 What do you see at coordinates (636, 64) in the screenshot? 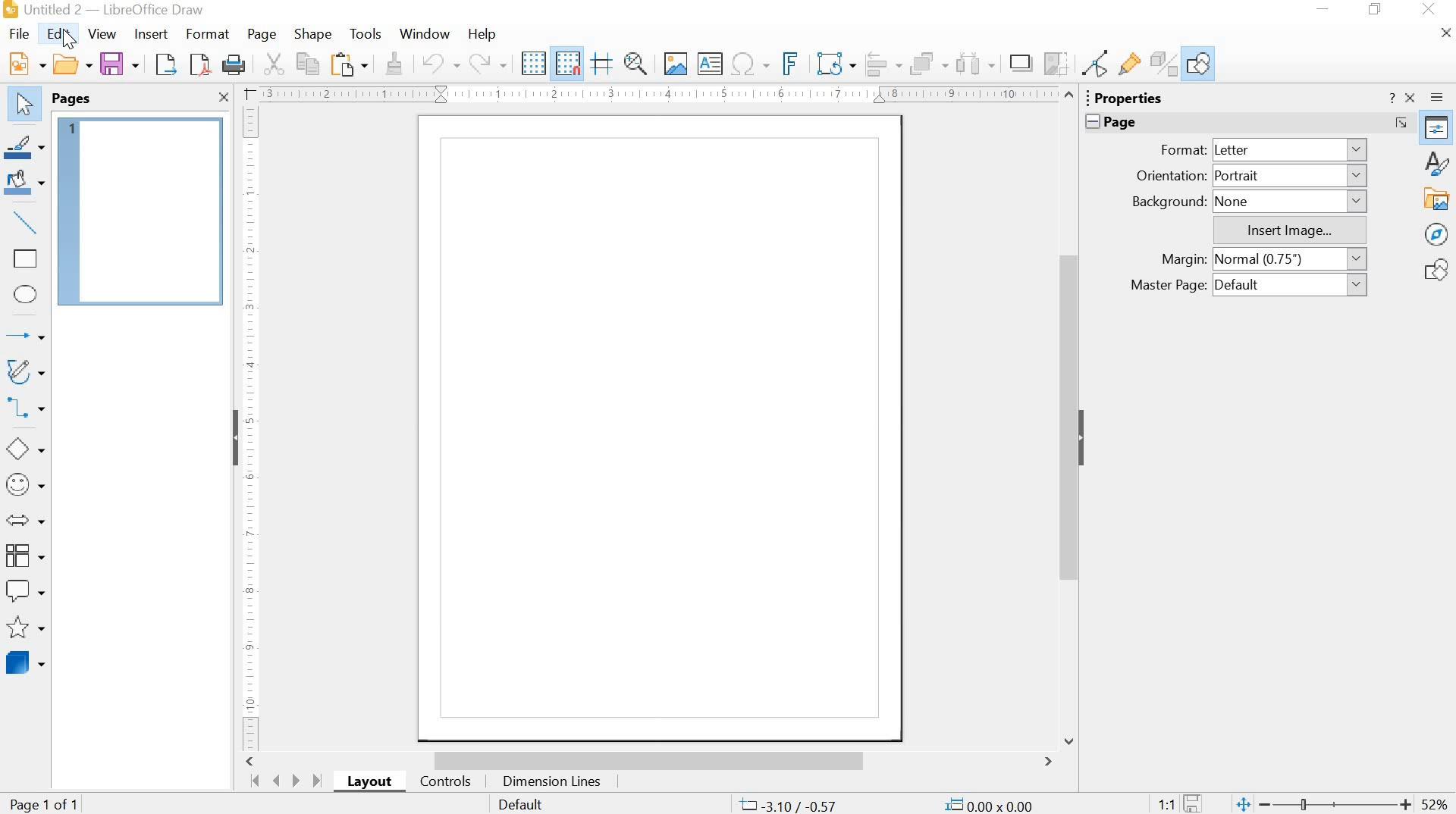
I see `Zoom & Pan (Ctrl to Zoom Out, Shift to Pan)` at bounding box center [636, 64].